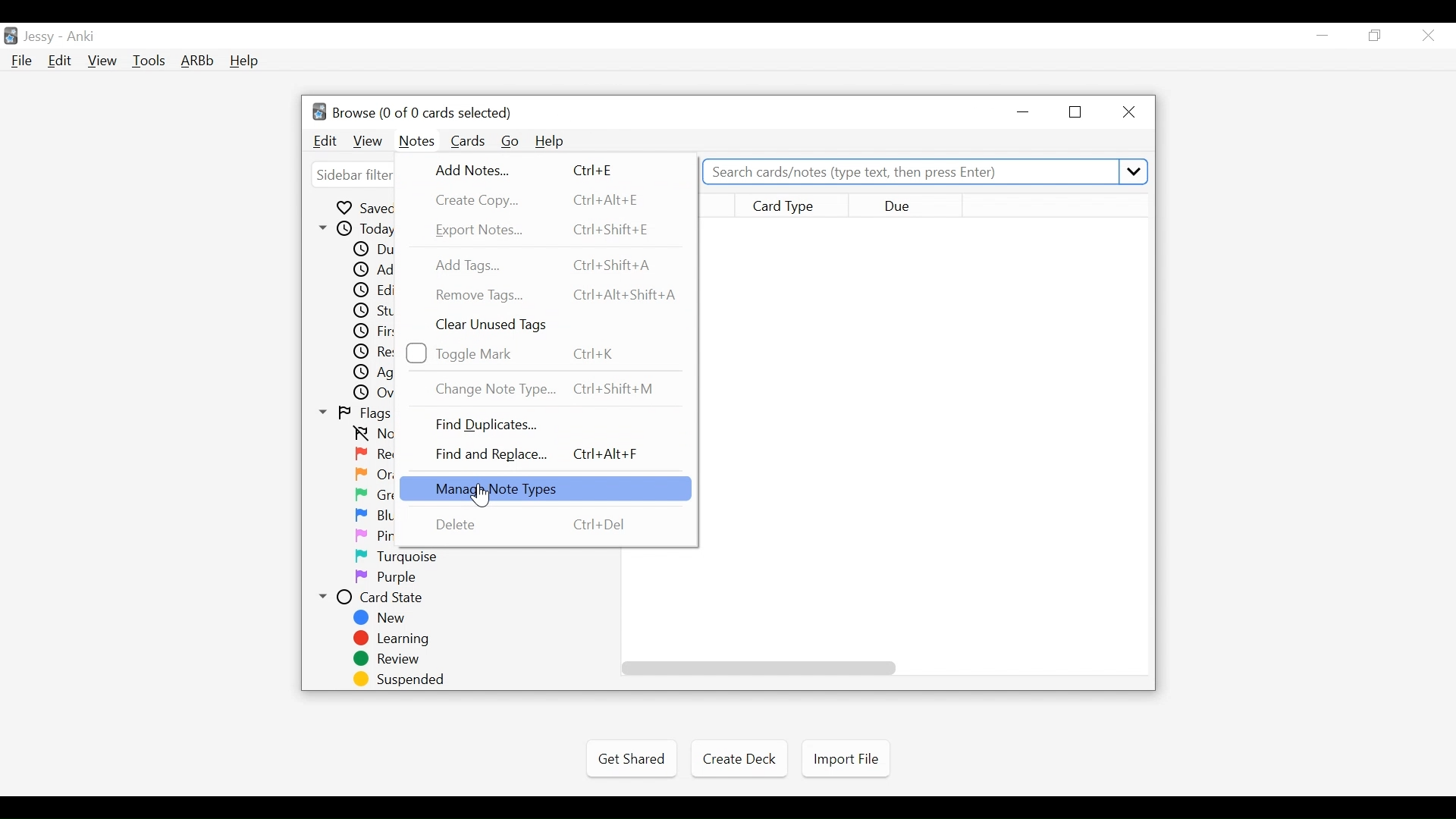 This screenshot has width=1456, height=819. What do you see at coordinates (371, 331) in the screenshot?
I see `First Review` at bounding box center [371, 331].